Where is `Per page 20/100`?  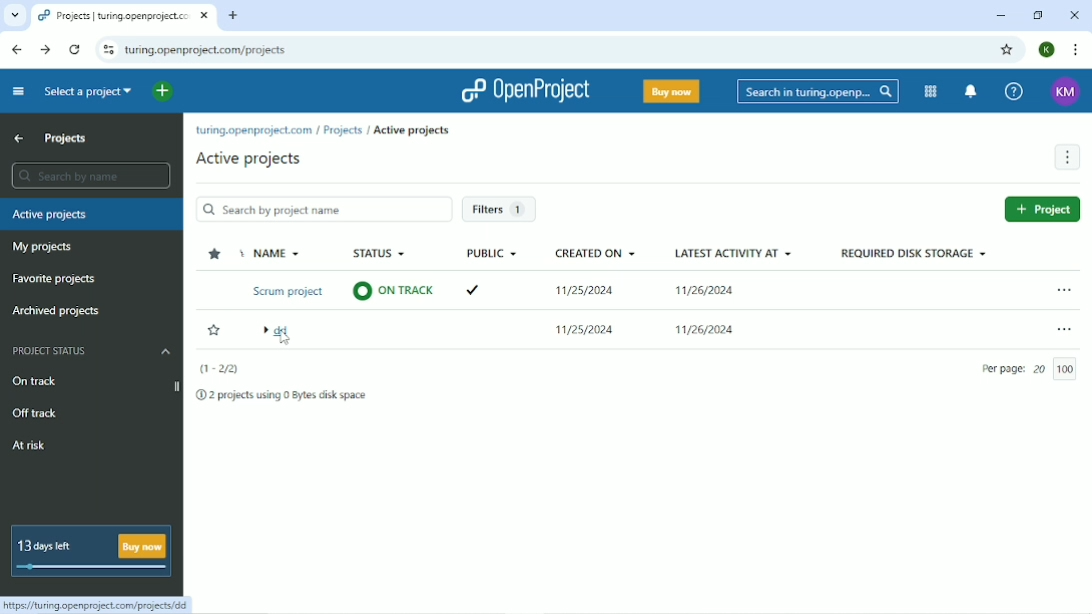
Per page 20/100 is located at coordinates (1032, 366).